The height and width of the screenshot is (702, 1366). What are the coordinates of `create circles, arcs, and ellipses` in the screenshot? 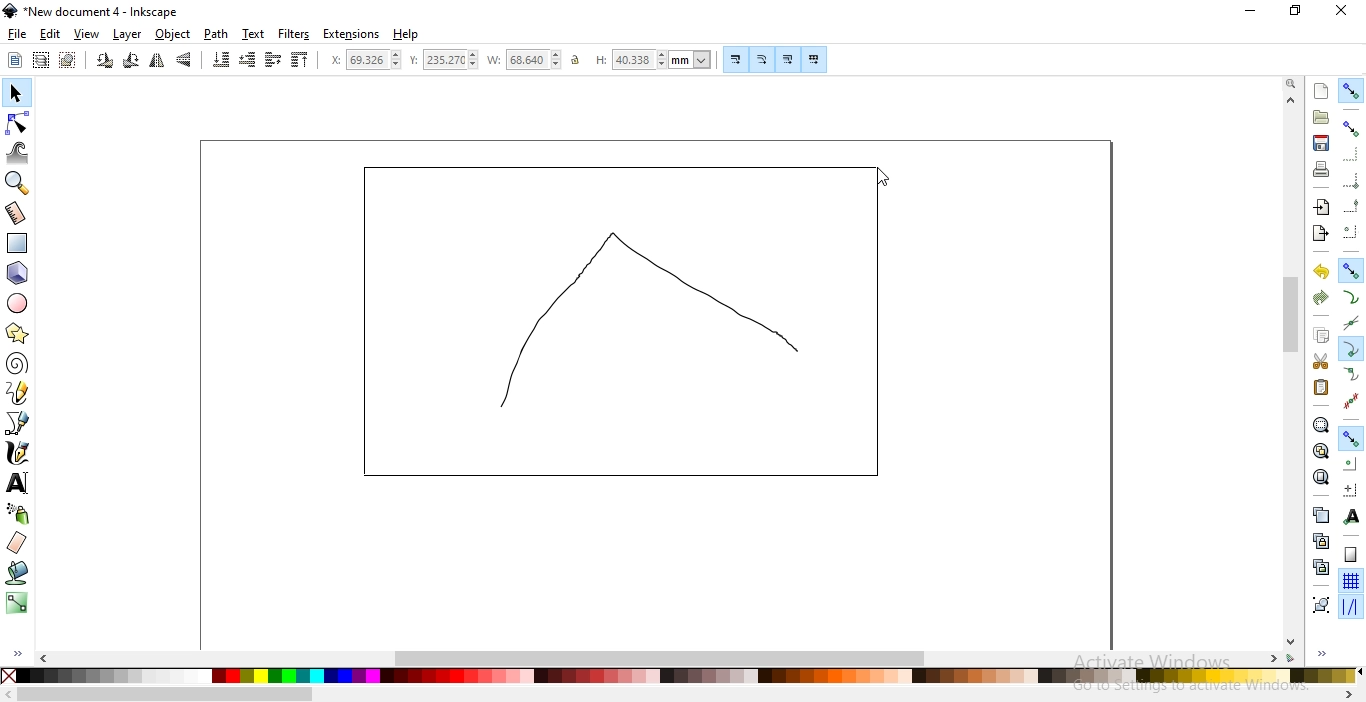 It's located at (18, 303).